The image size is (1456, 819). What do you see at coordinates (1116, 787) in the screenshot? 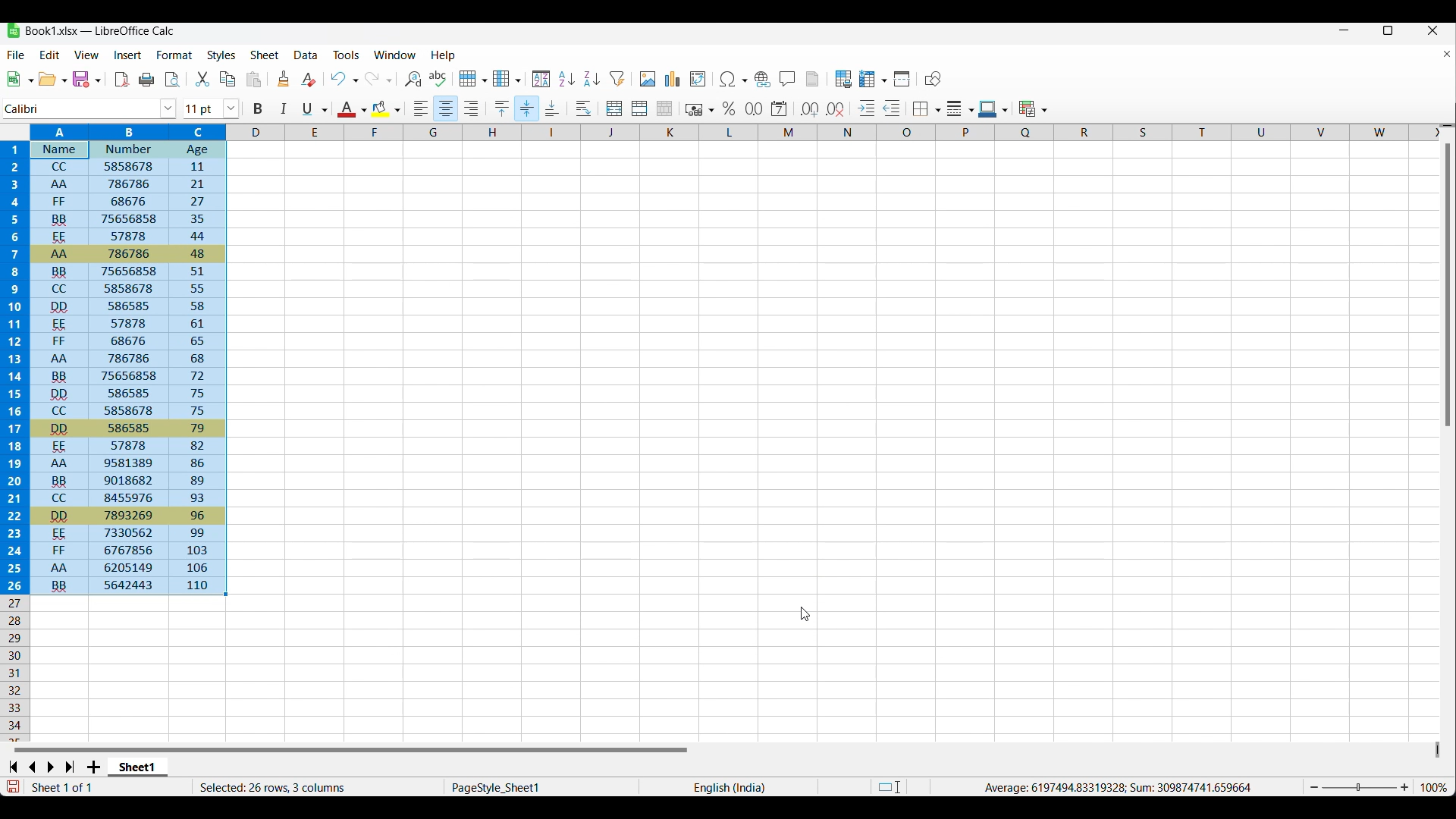
I see `Average and Sum` at bounding box center [1116, 787].